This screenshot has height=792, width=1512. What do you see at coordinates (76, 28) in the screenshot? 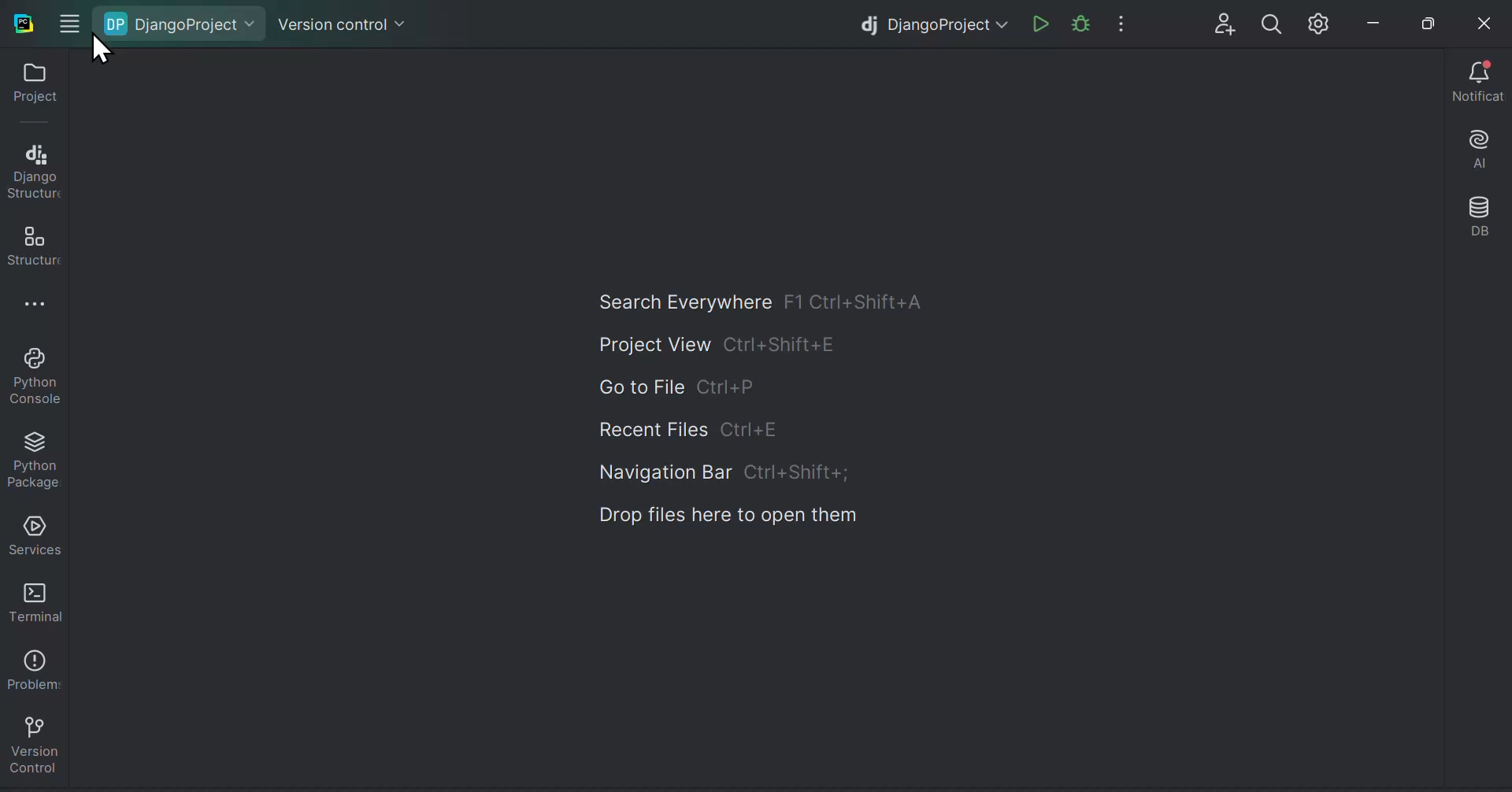
I see `Windows options` at bounding box center [76, 28].